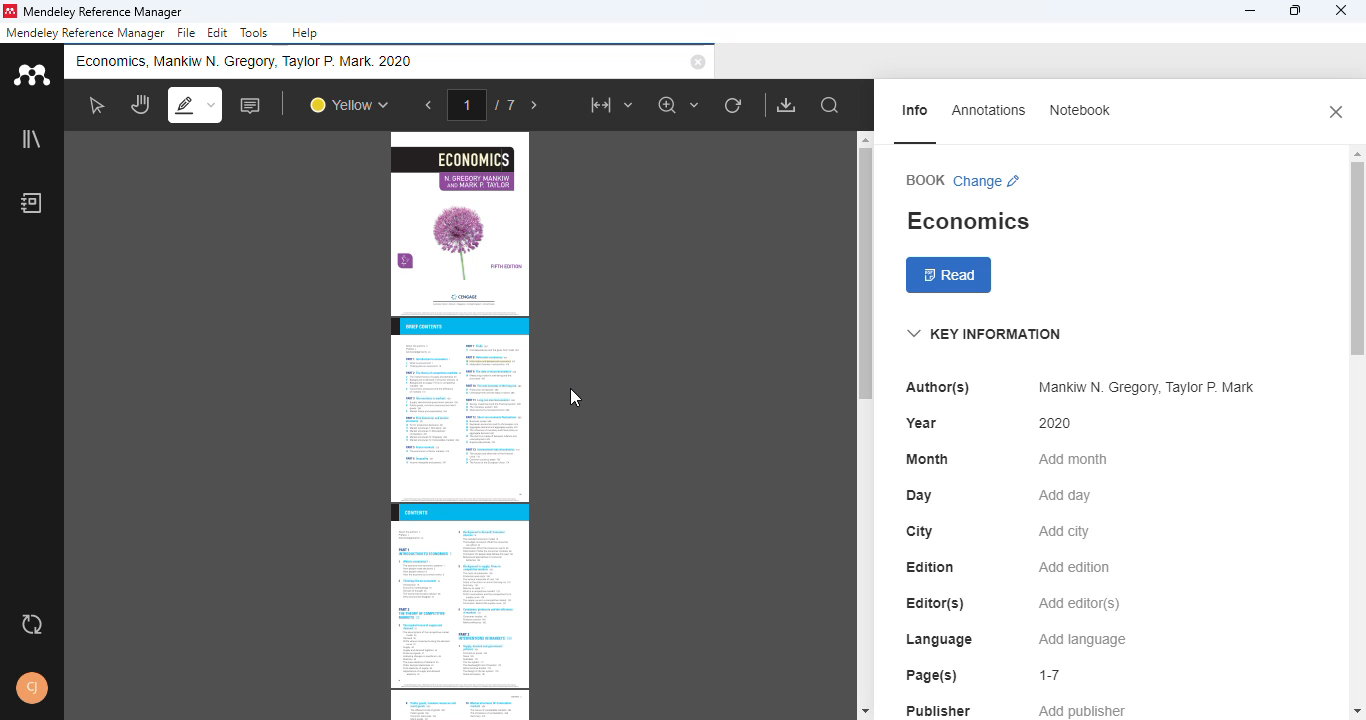  What do you see at coordinates (194, 104) in the screenshot?
I see `highlight text` at bounding box center [194, 104].